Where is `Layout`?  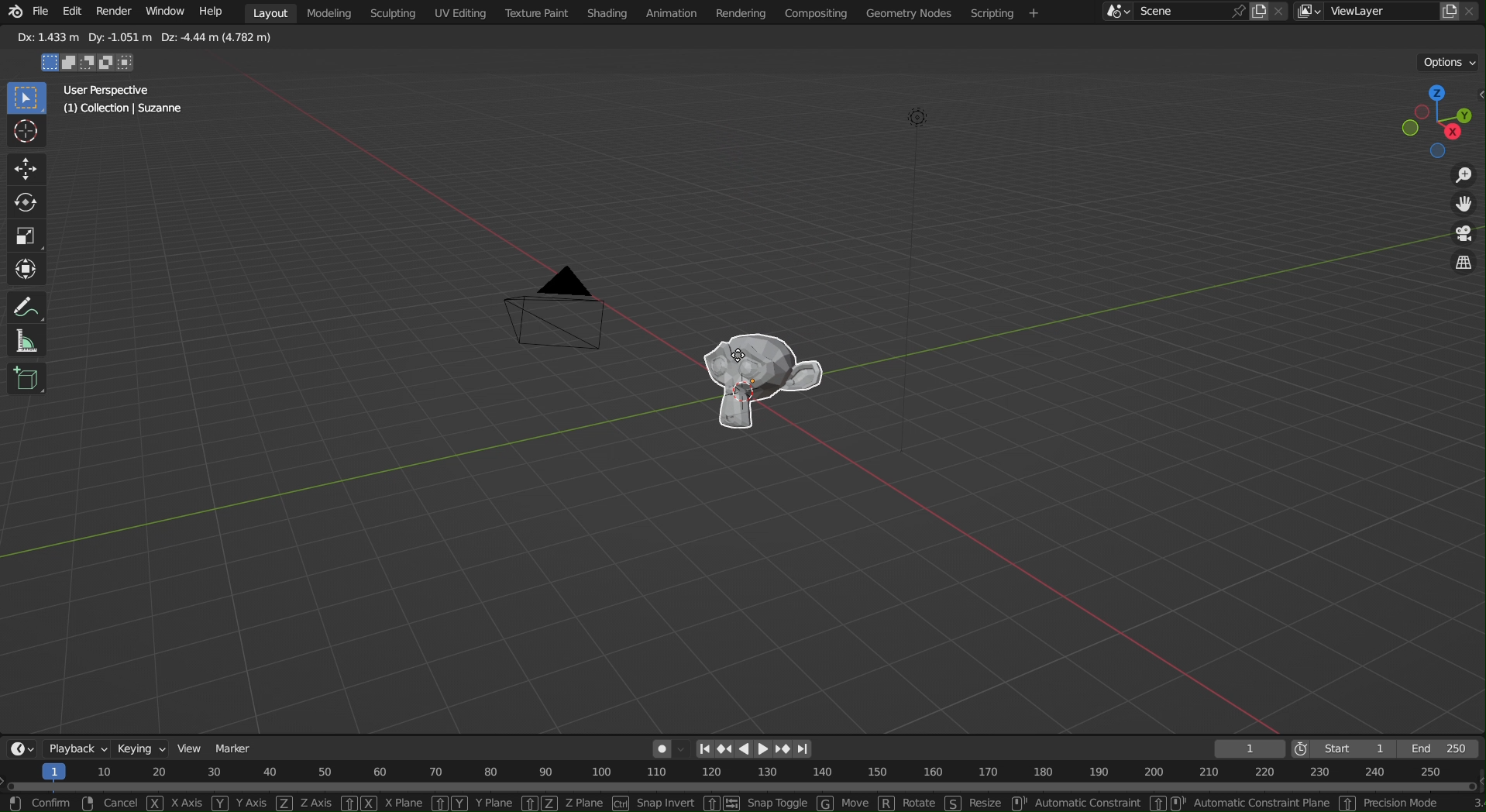 Layout is located at coordinates (269, 12).